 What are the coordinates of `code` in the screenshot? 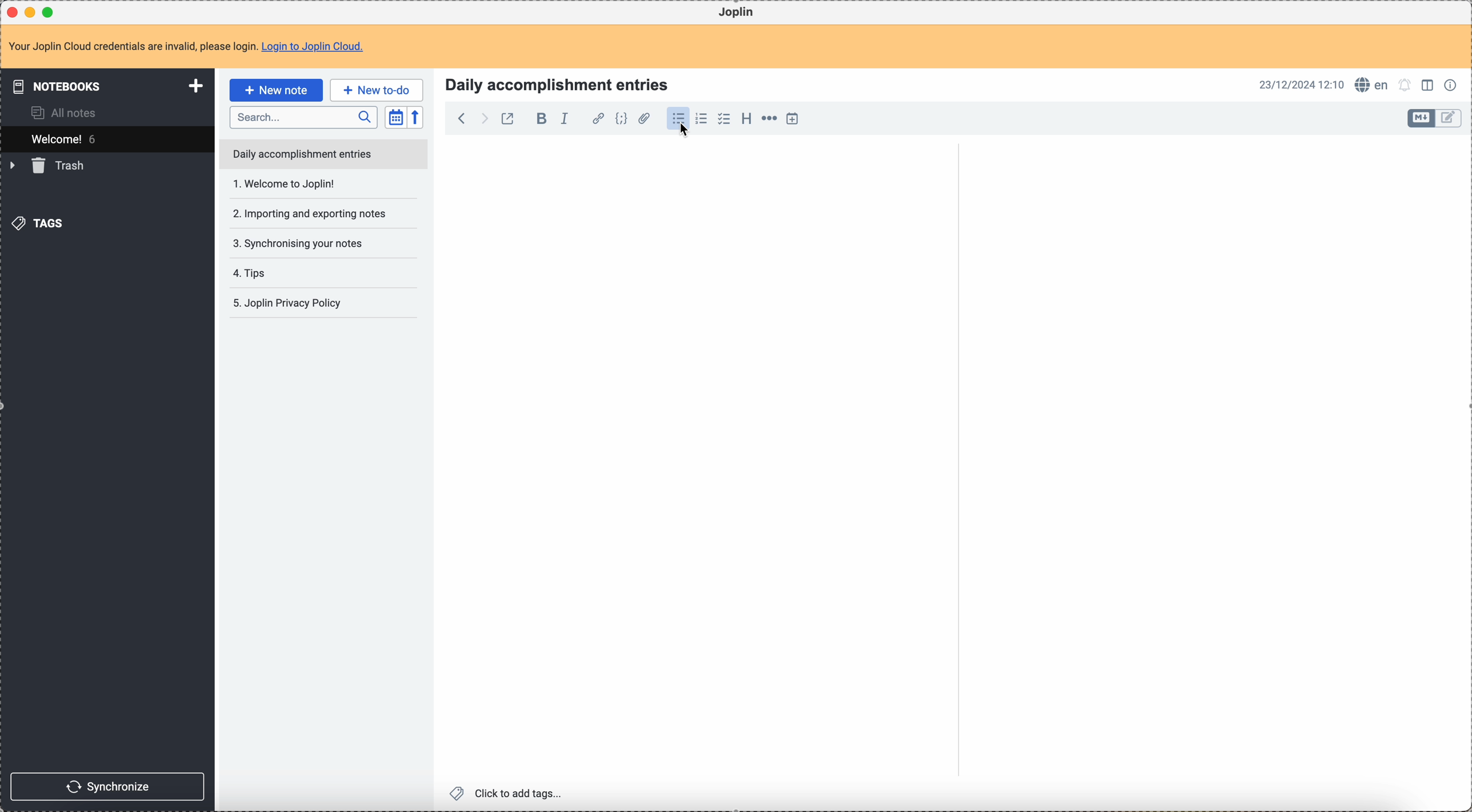 It's located at (621, 119).